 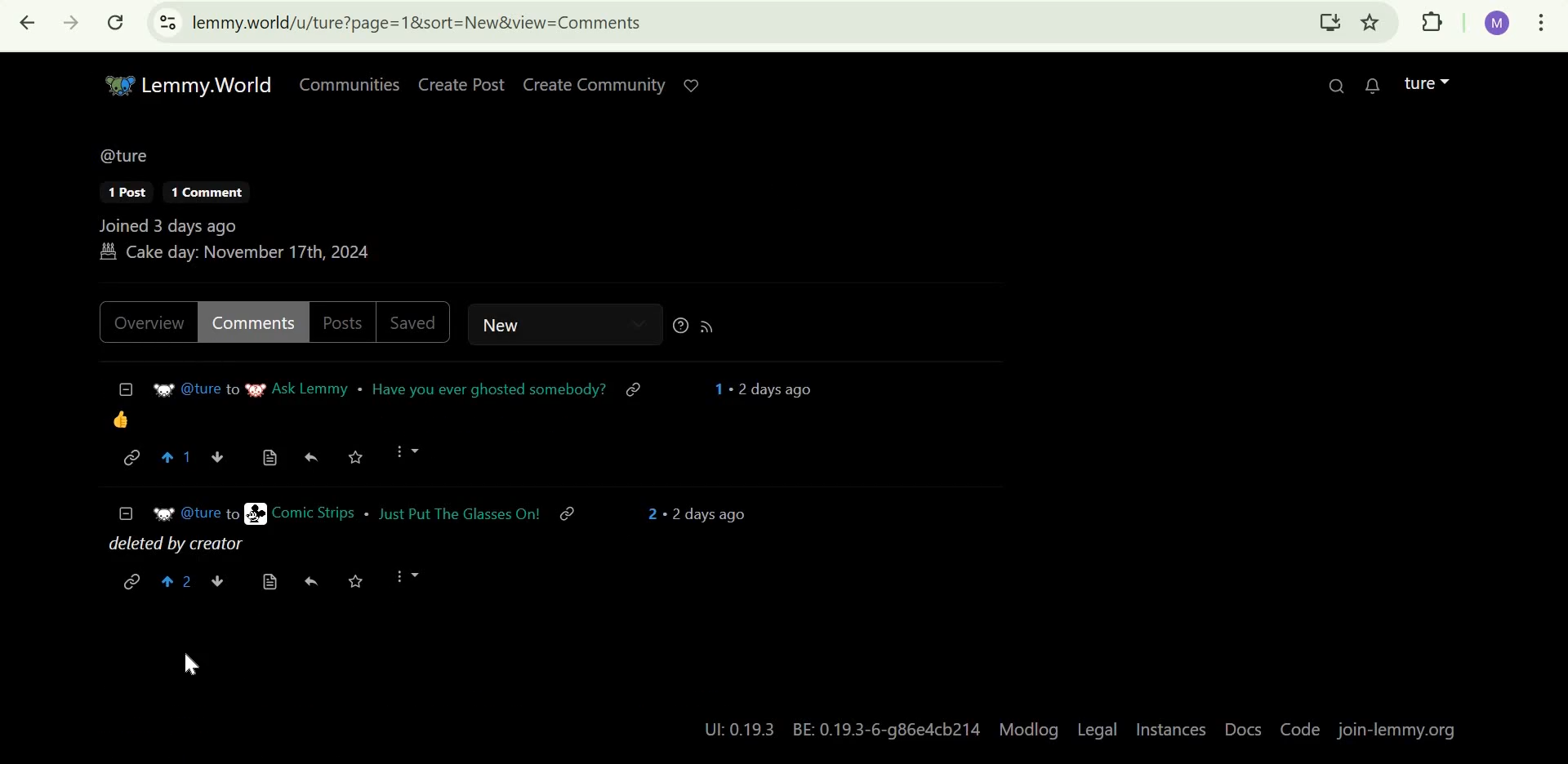 What do you see at coordinates (116, 22) in the screenshot?
I see `reload this page` at bounding box center [116, 22].